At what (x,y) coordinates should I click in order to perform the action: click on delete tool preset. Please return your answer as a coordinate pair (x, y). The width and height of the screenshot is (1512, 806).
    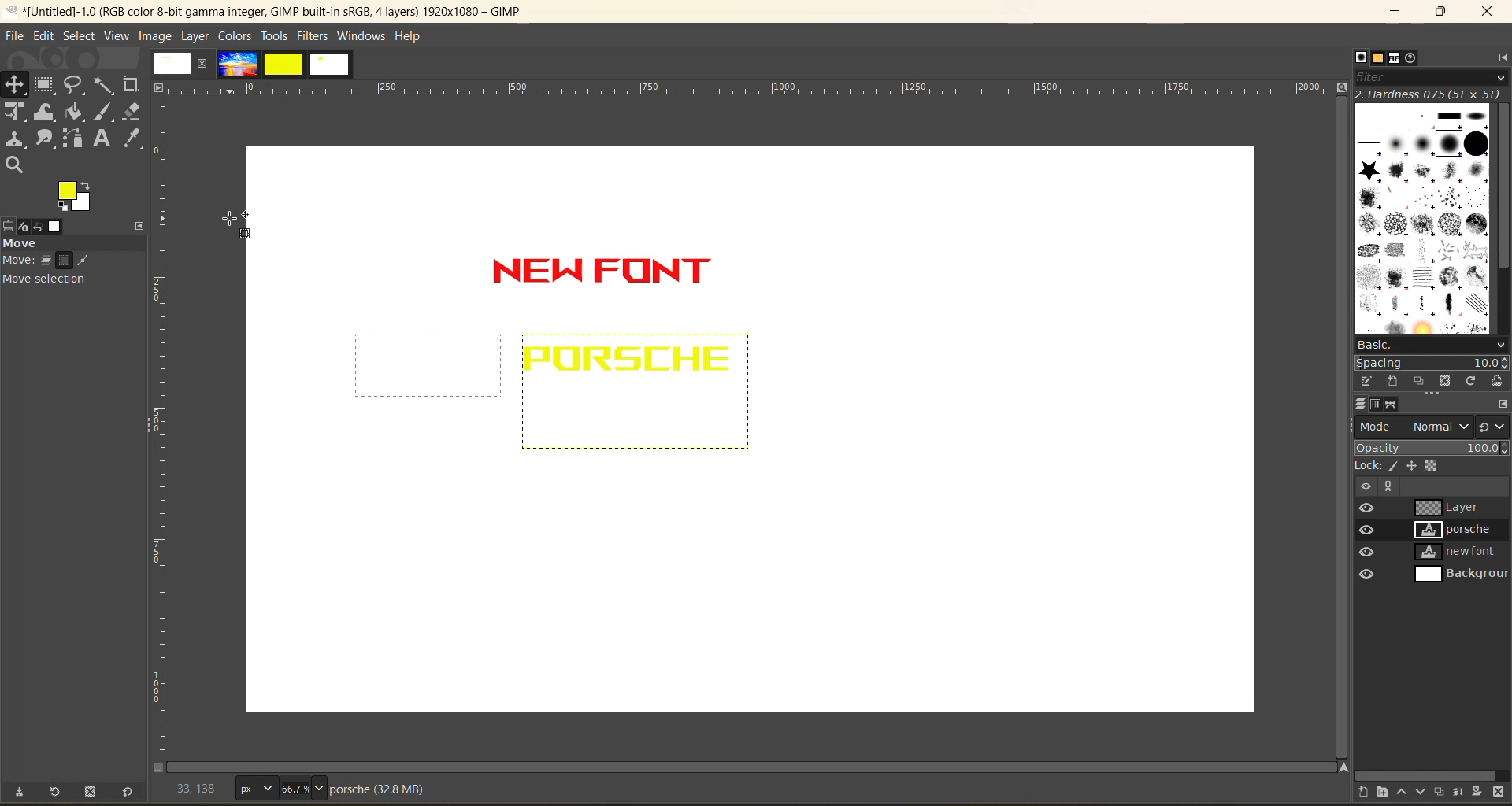
    Looking at the image, I should click on (91, 793).